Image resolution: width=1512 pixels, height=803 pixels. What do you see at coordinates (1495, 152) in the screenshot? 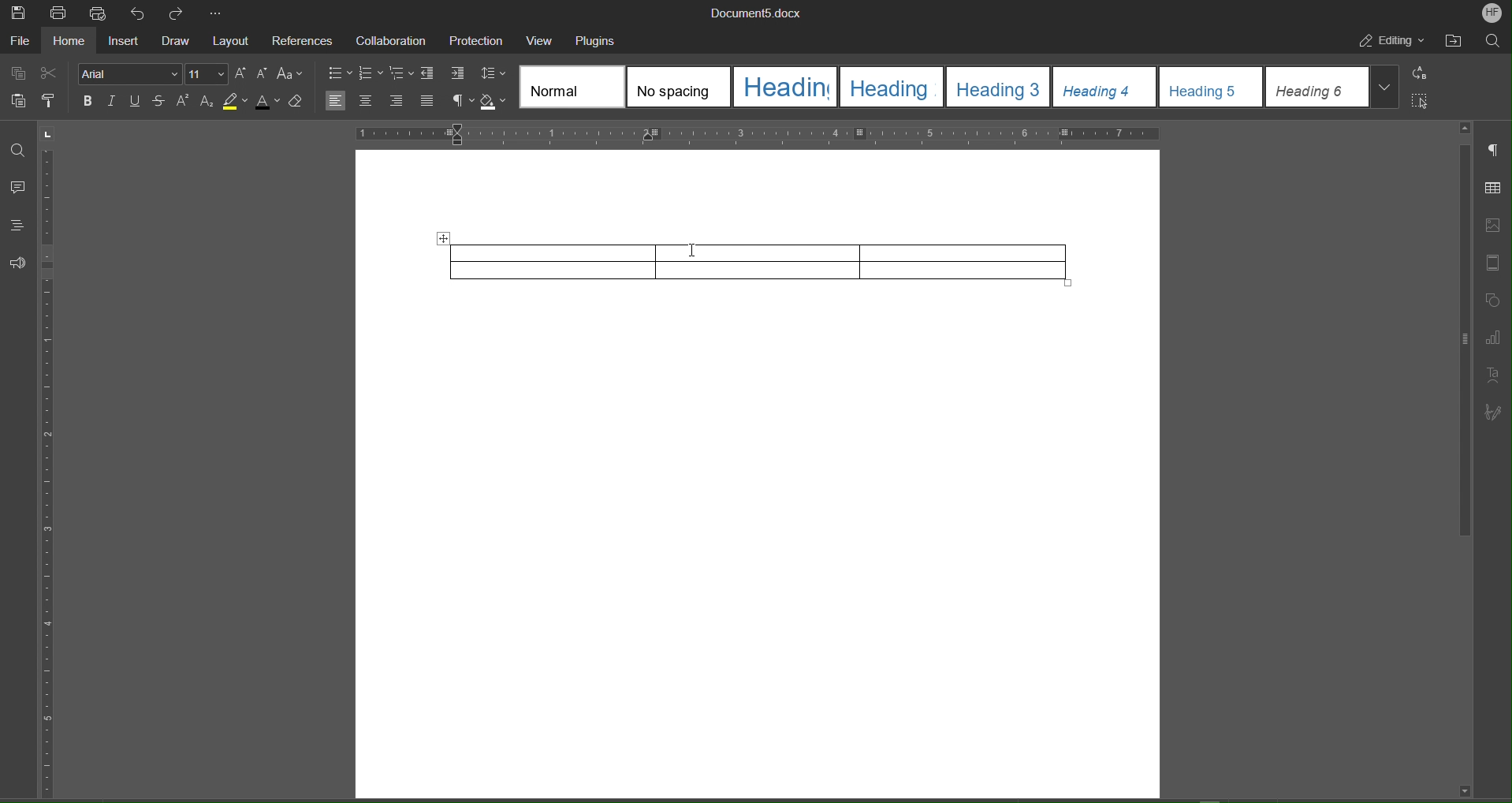
I see `Paragraph Settings` at bounding box center [1495, 152].